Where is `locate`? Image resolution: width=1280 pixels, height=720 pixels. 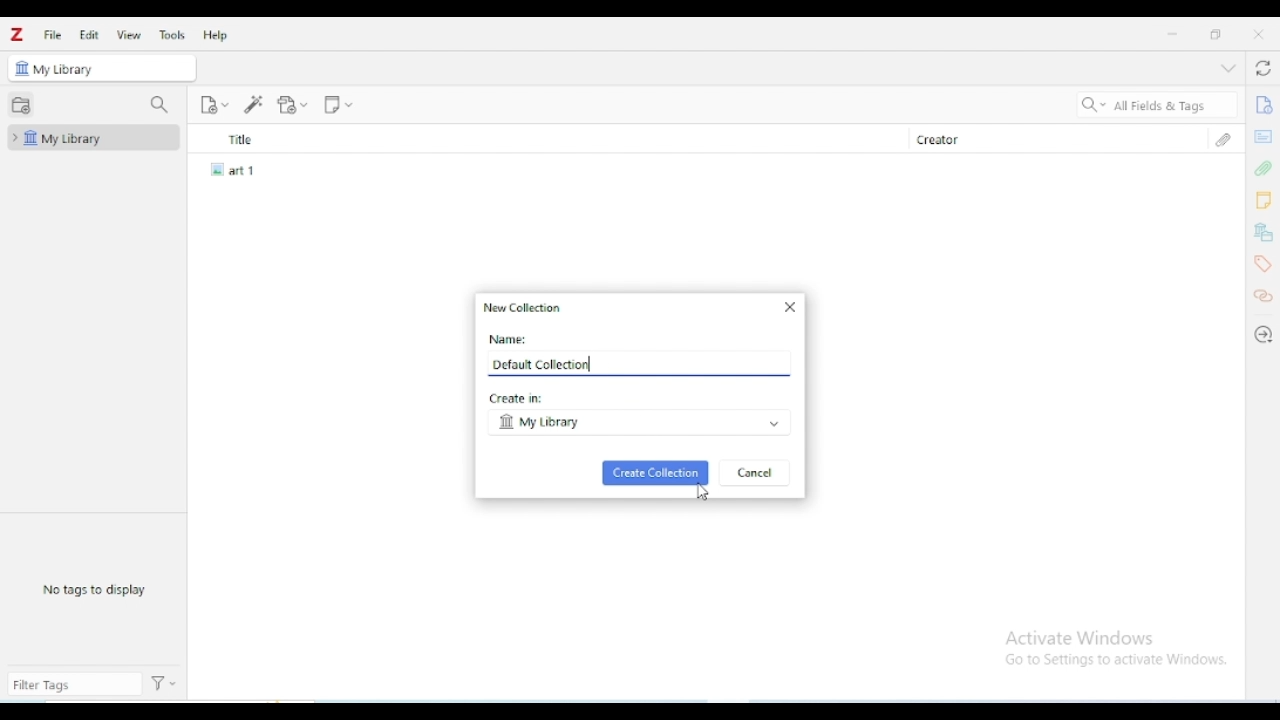
locate is located at coordinates (1263, 335).